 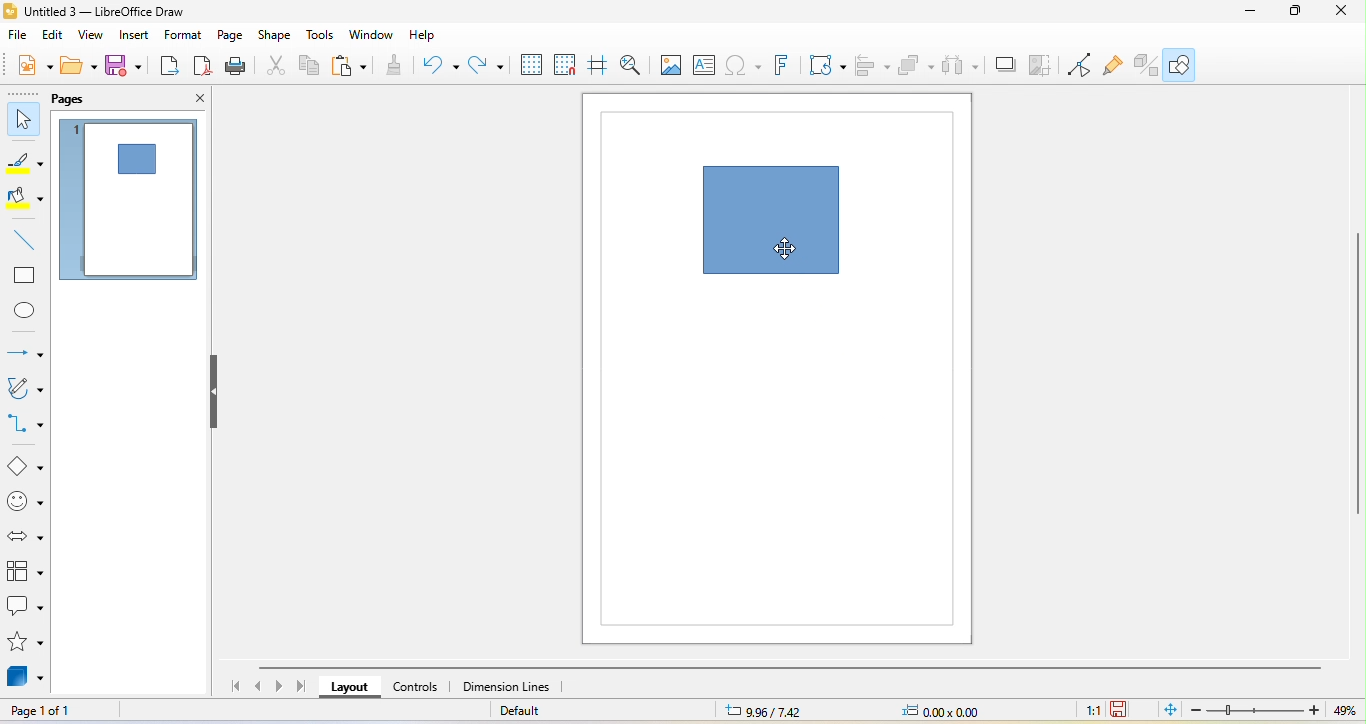 What do you see at coordinates (785, 66) in the screenshot?
I see `fontwork text` at bounding box center [785, 66].